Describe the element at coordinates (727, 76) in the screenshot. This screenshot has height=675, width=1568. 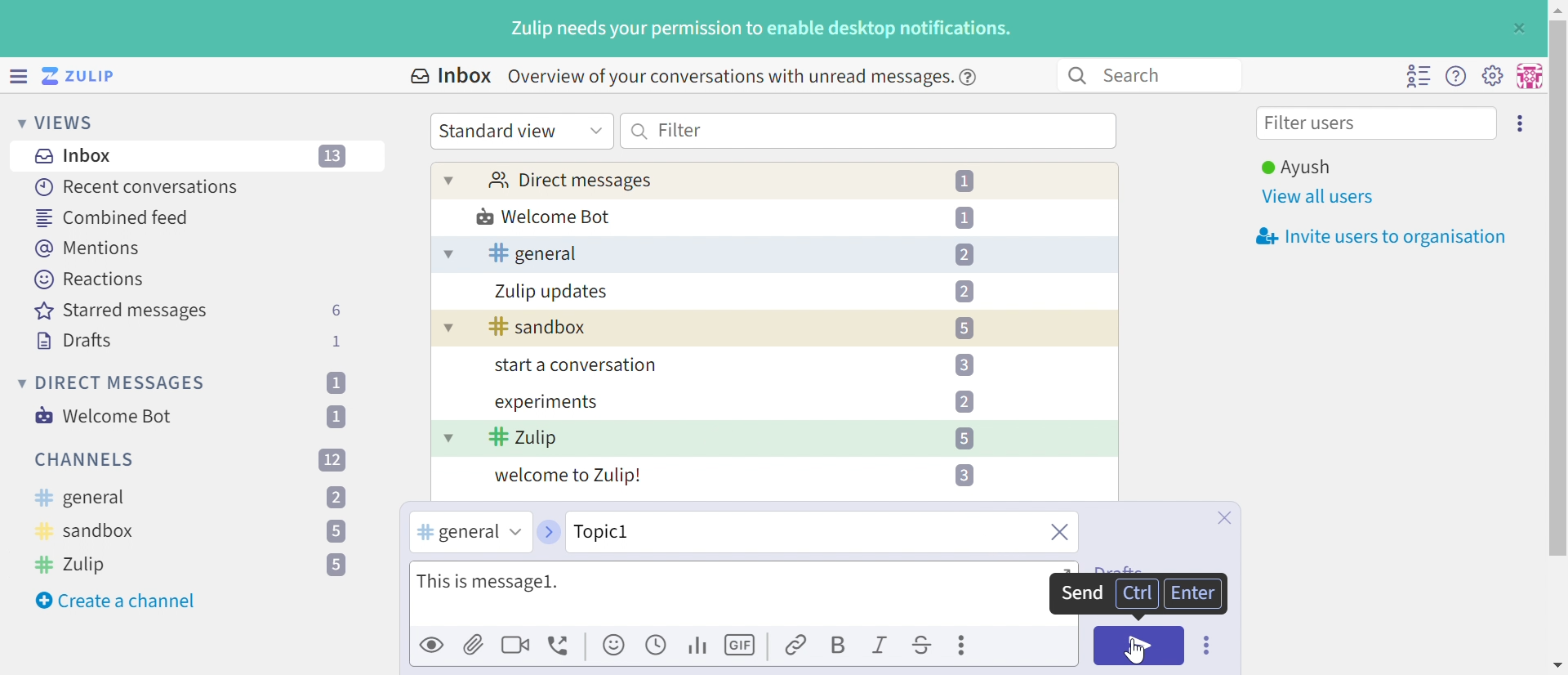
I see `Overview of your conversations with unread messages.` at that location.